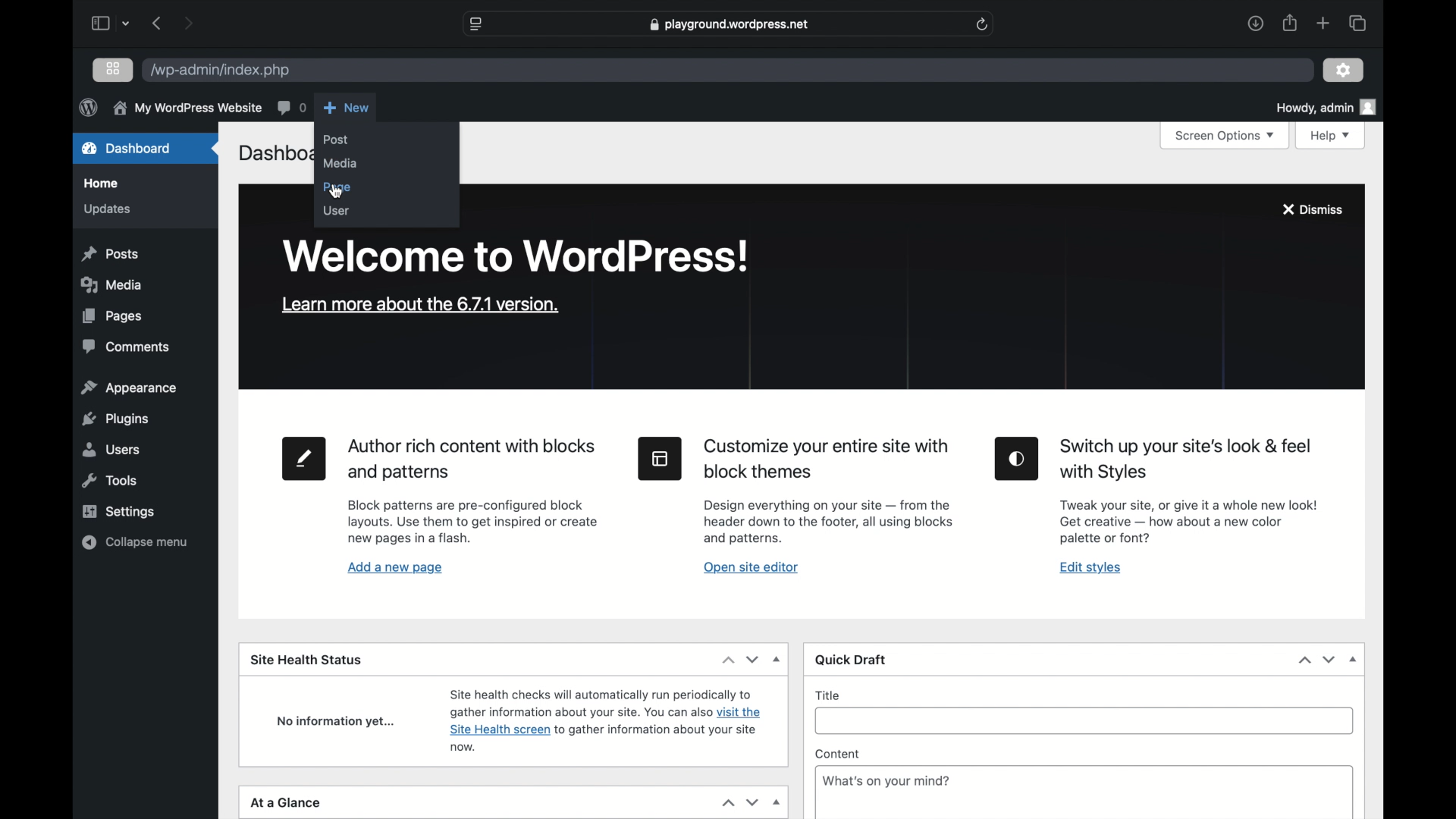 The height and width of the screenshot is (819, 1456). Describe the element at coordinates (347, 107) in the screenshot. I see `new` at that location.